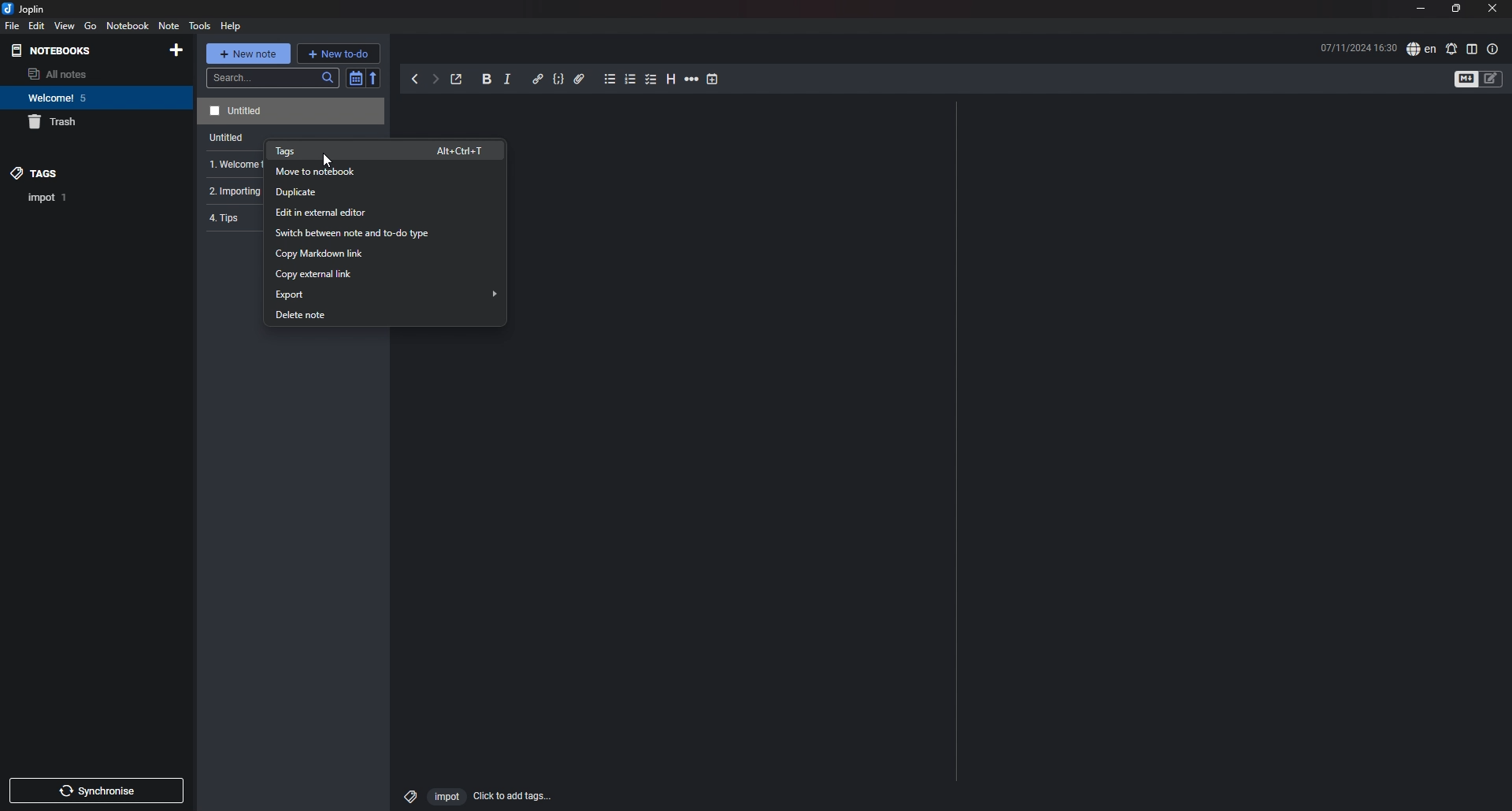 The image size is (1512, 811). I want to click on add tags, so click(513, 796).